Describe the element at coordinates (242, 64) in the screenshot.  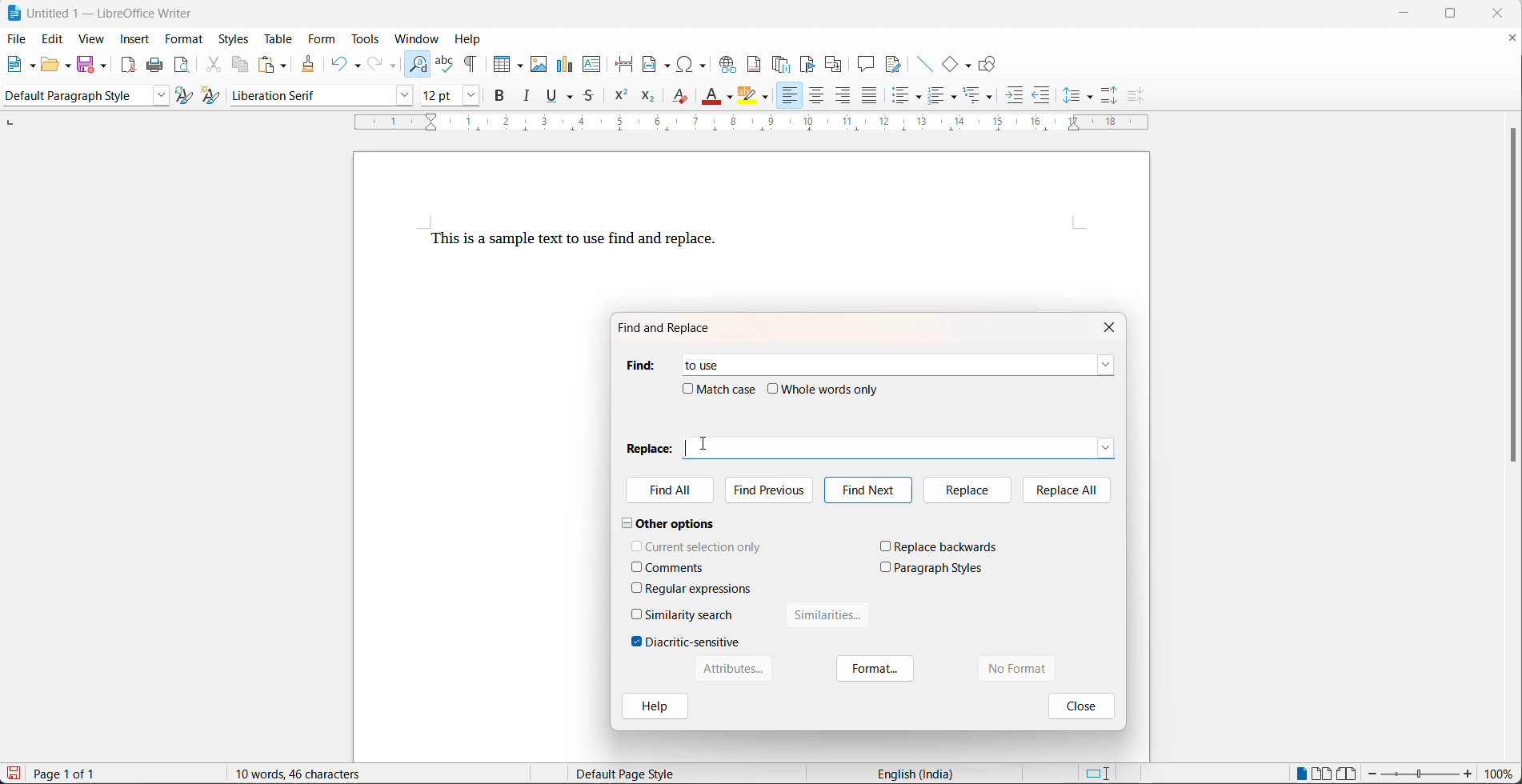
I see `copy` at that location.